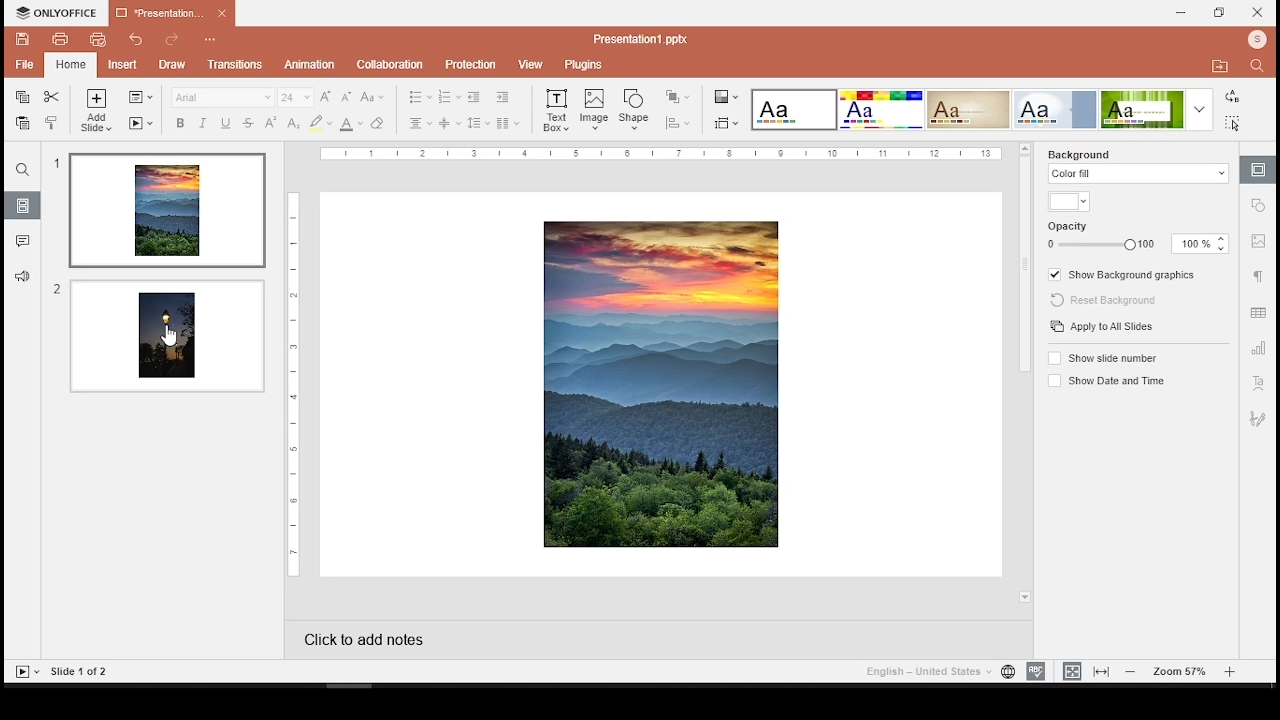 Image resolution: width=1280 pixels, height=720 pixels. What do you see at coordinates (503, 97) in the screenshot?
I see `increase indent` at bounding box center [503, 97].